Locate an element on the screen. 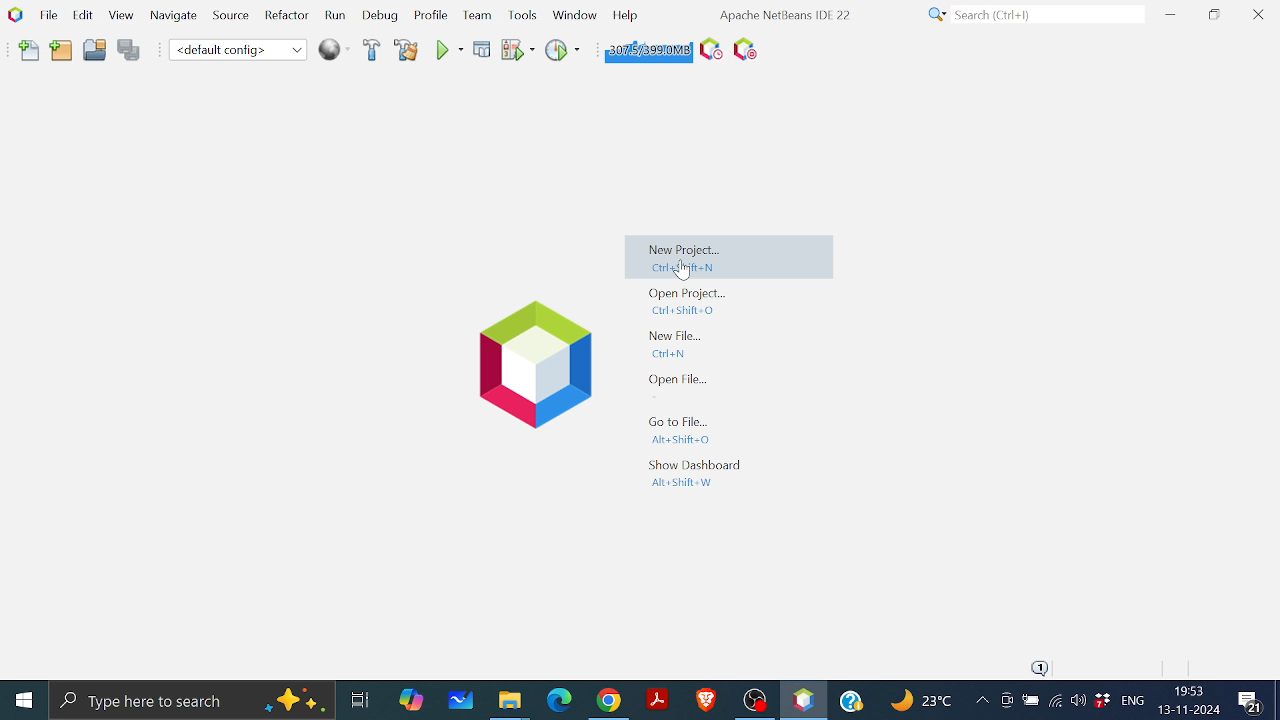 This screenshot has width=1280, height=720. Netbeans is located at coordinates (803, 700).